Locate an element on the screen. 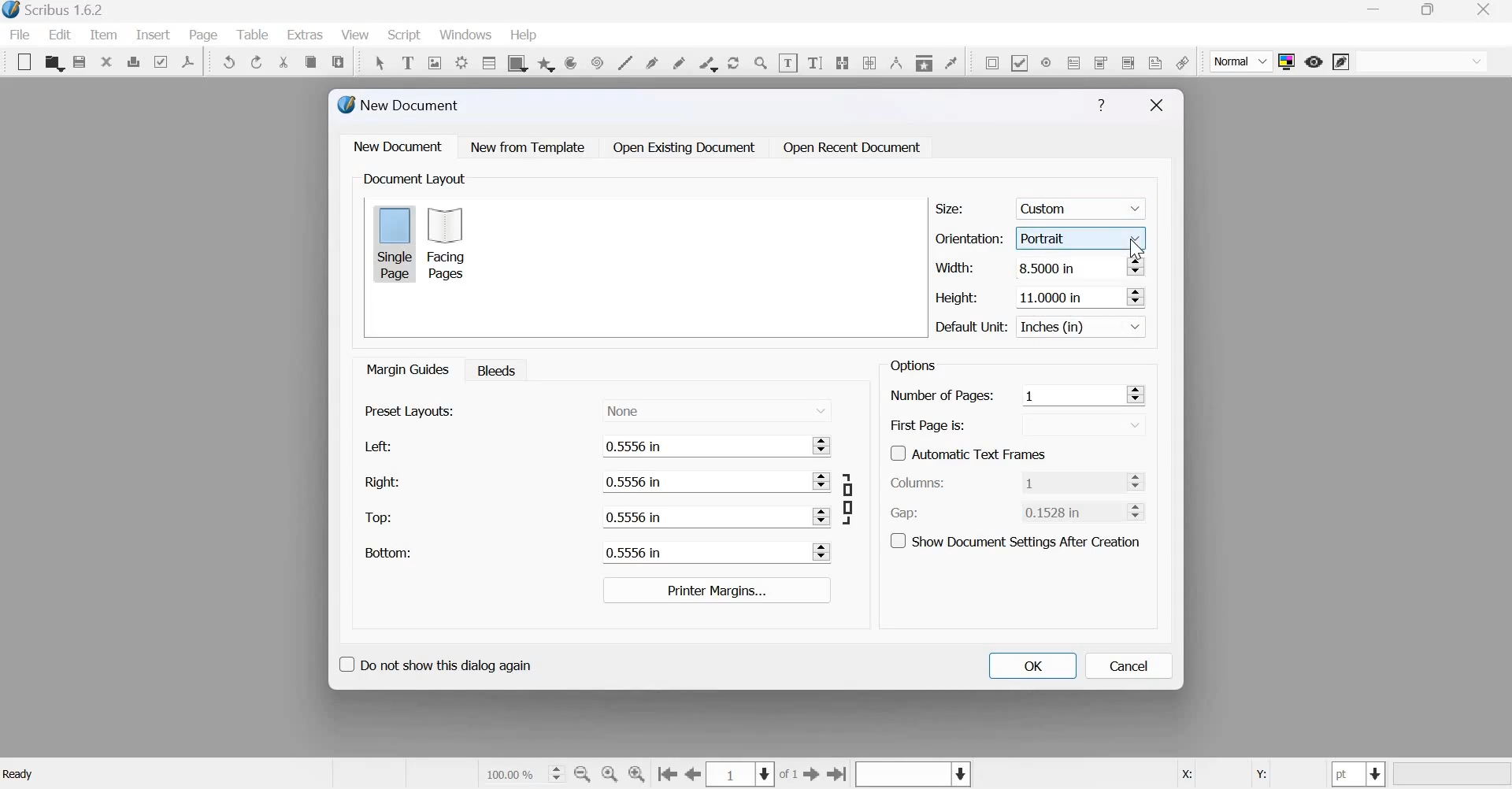  calligraphic line is located at coordinates (706, 62).